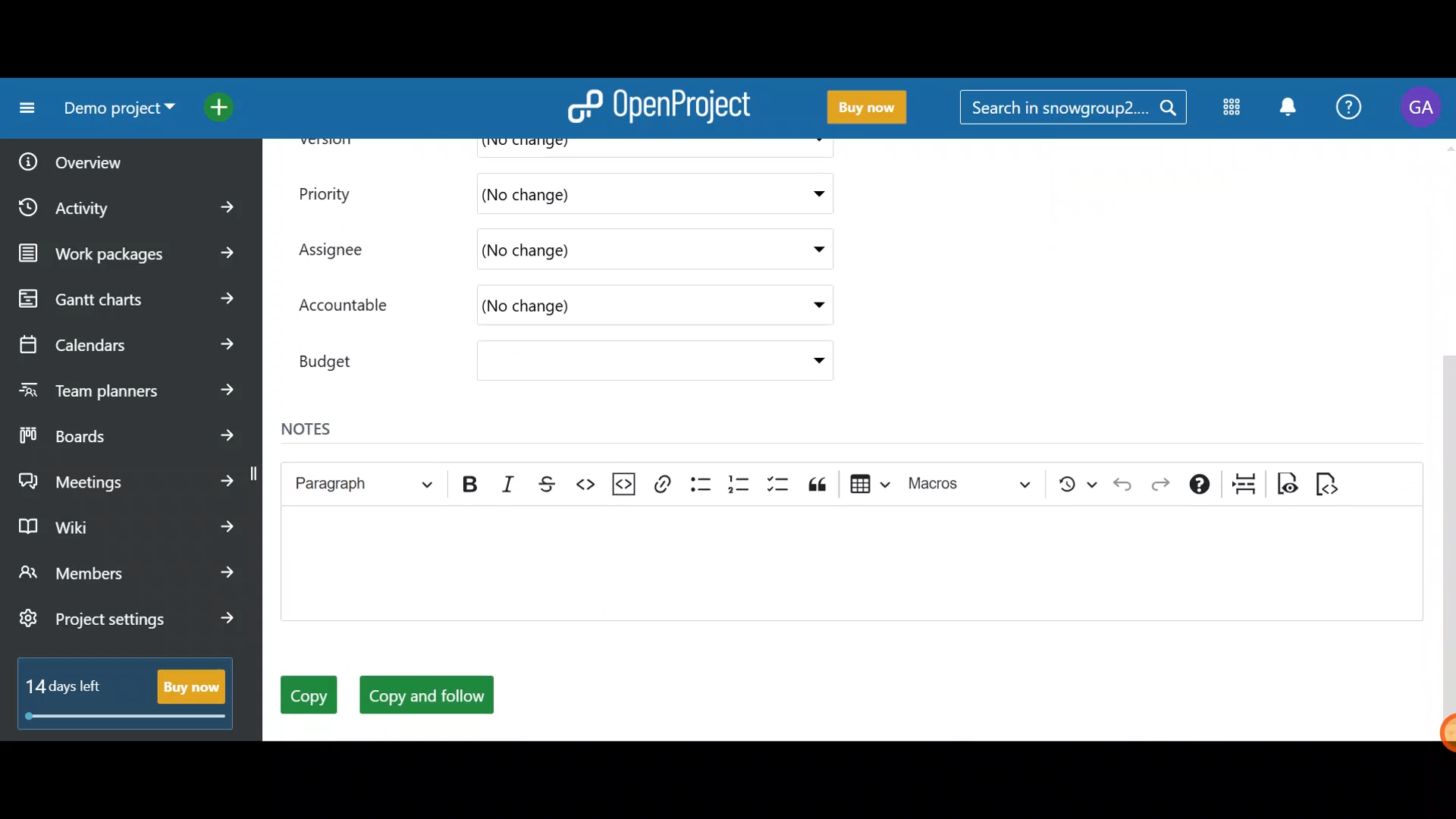 The image size is (1456, 819). Describe the element at coordinates (131, 579) in the screenshot. I see `Members` at that location.